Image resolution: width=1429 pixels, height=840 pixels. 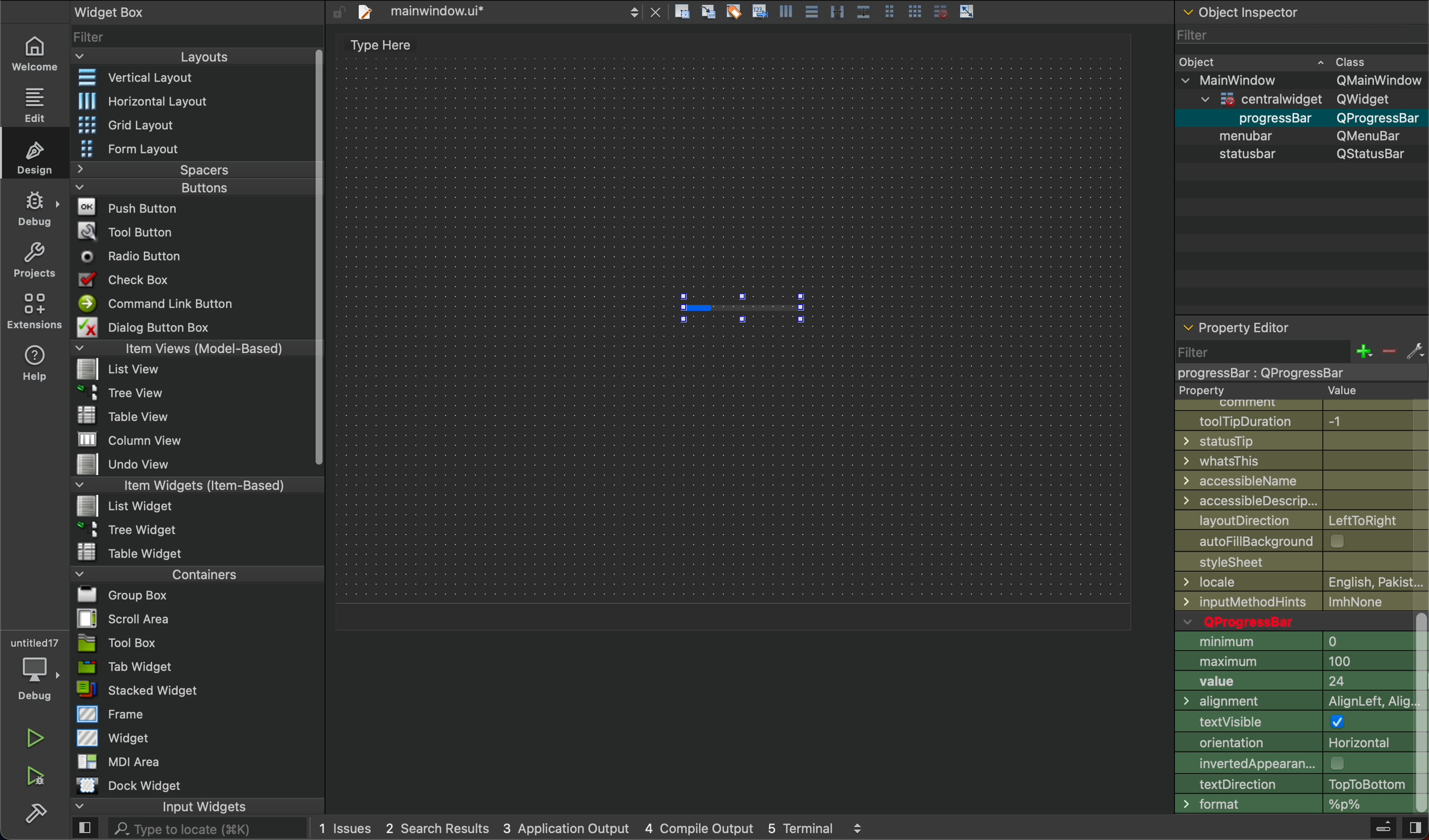 I want to click on testVisible, so click(x=1294, y=724).